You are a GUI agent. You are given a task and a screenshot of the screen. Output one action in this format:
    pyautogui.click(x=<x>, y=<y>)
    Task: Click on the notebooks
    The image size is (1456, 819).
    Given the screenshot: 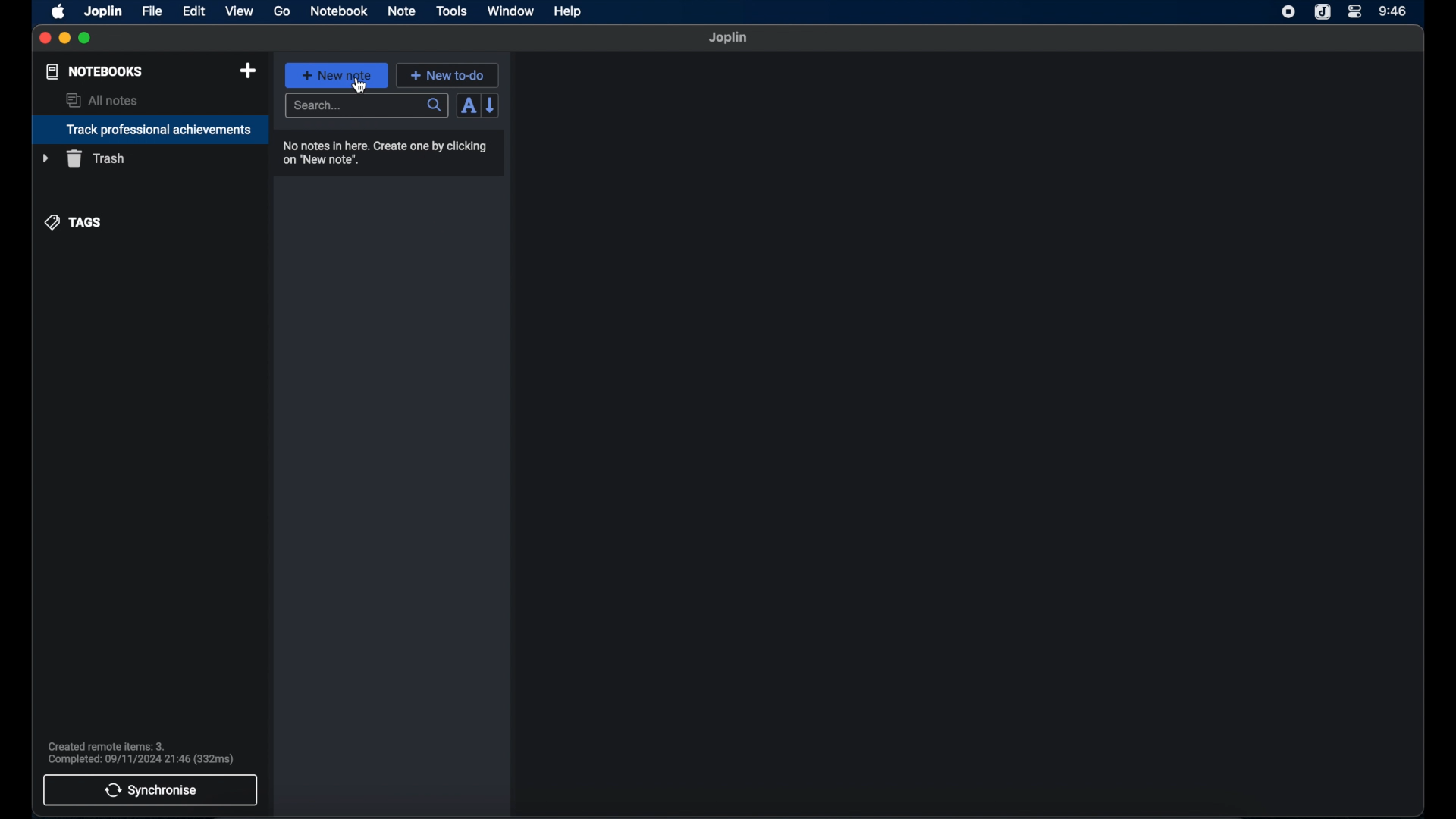 What is the action you would take?
    pyautogui.click(x=93, y=71)
    